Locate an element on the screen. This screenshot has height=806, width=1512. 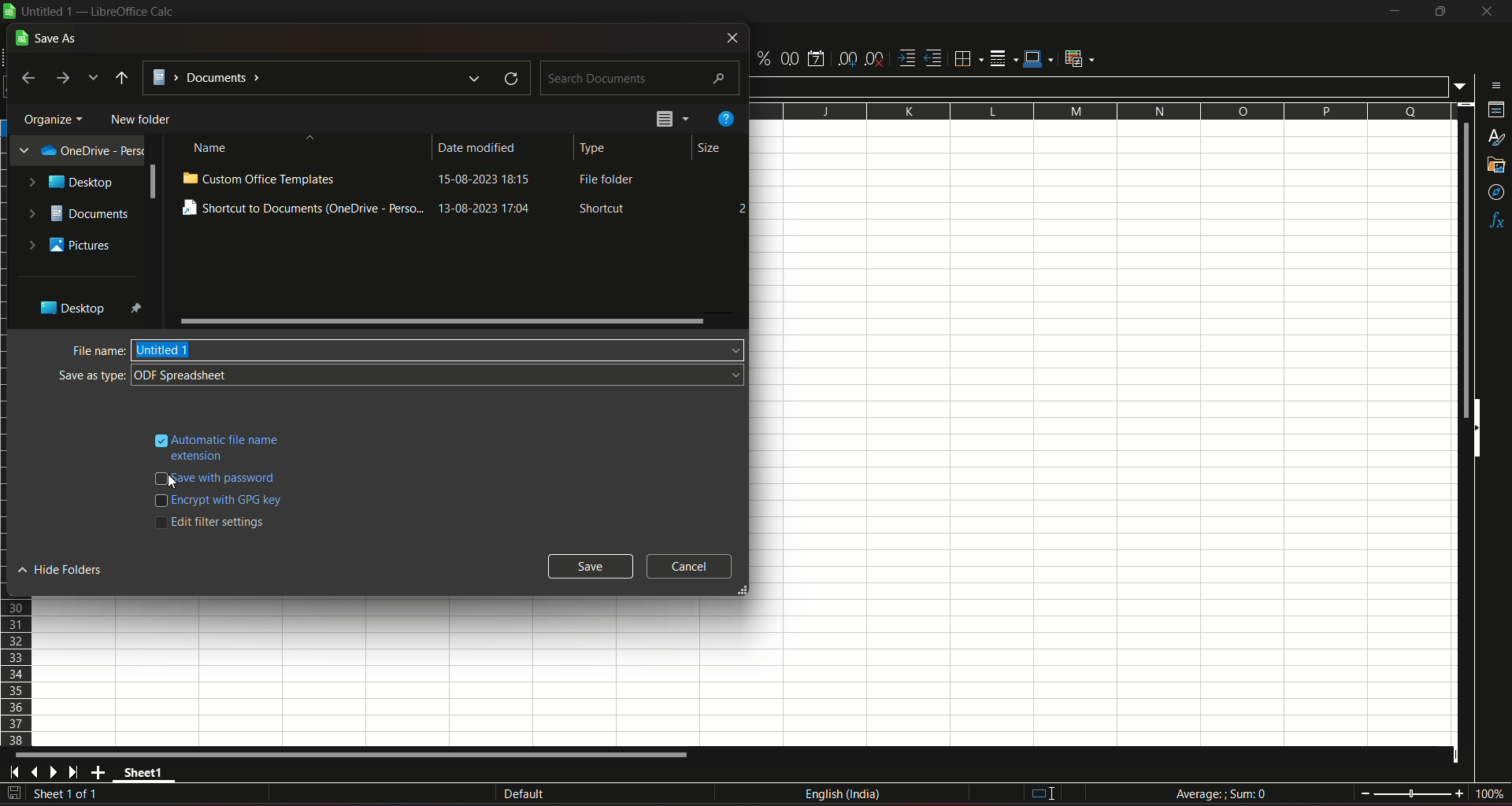
edit filter settings is located at coordinates (221, 522).